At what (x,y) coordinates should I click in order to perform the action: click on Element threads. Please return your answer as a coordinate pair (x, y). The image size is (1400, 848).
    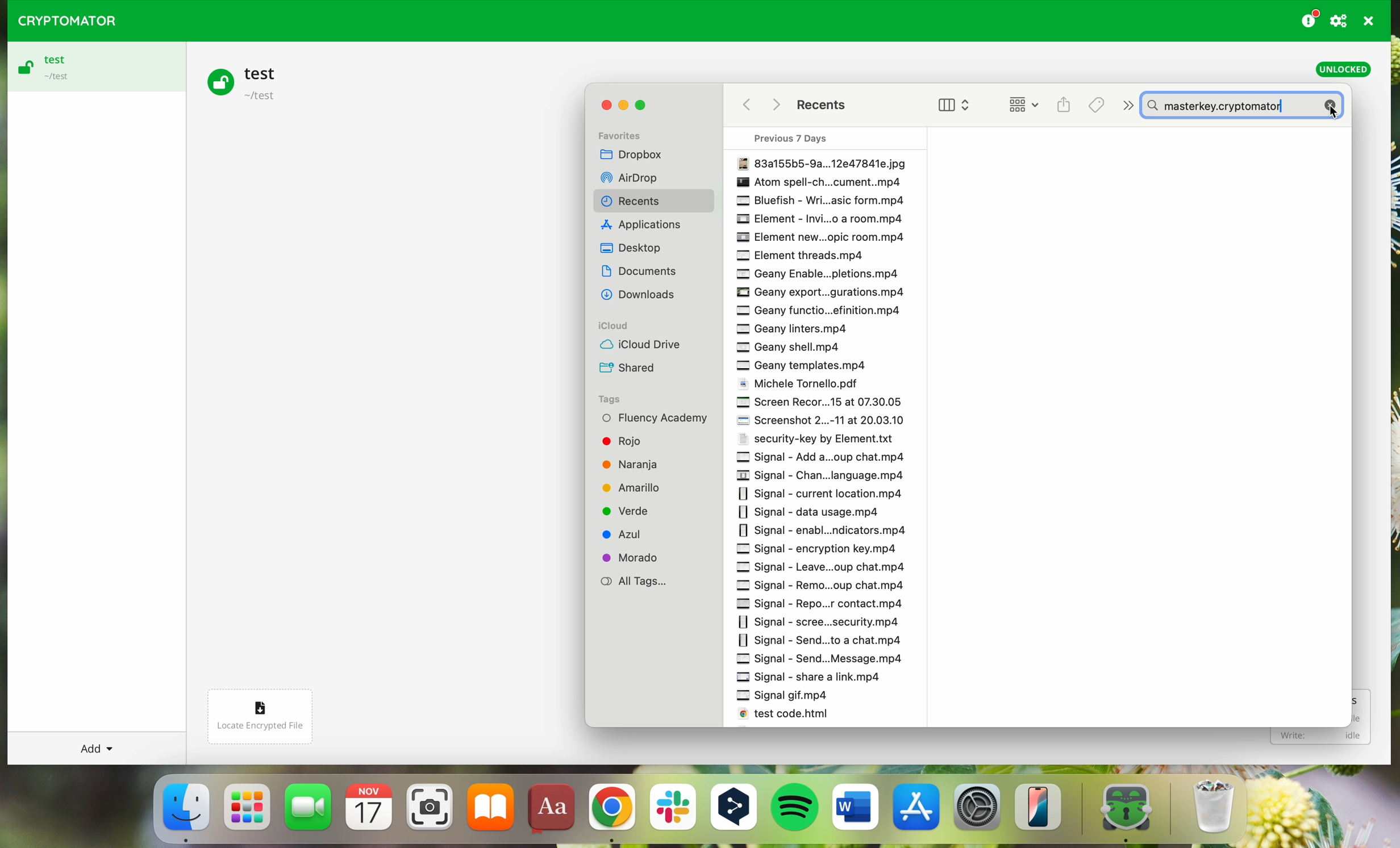
    Looking at the image, I should click on (797, 255).